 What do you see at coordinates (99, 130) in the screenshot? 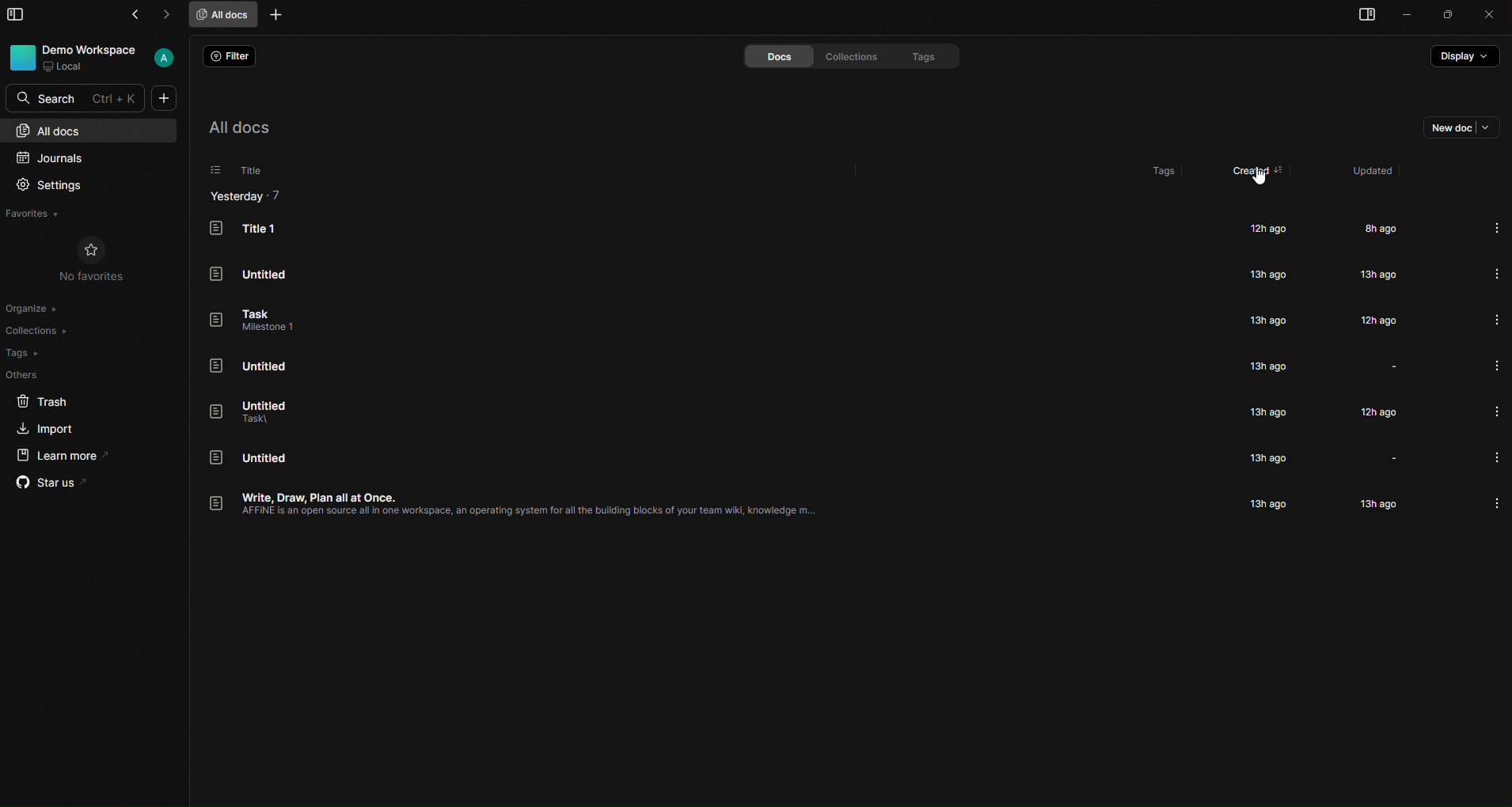
I see `all docs` at bounding box center [99, 130].